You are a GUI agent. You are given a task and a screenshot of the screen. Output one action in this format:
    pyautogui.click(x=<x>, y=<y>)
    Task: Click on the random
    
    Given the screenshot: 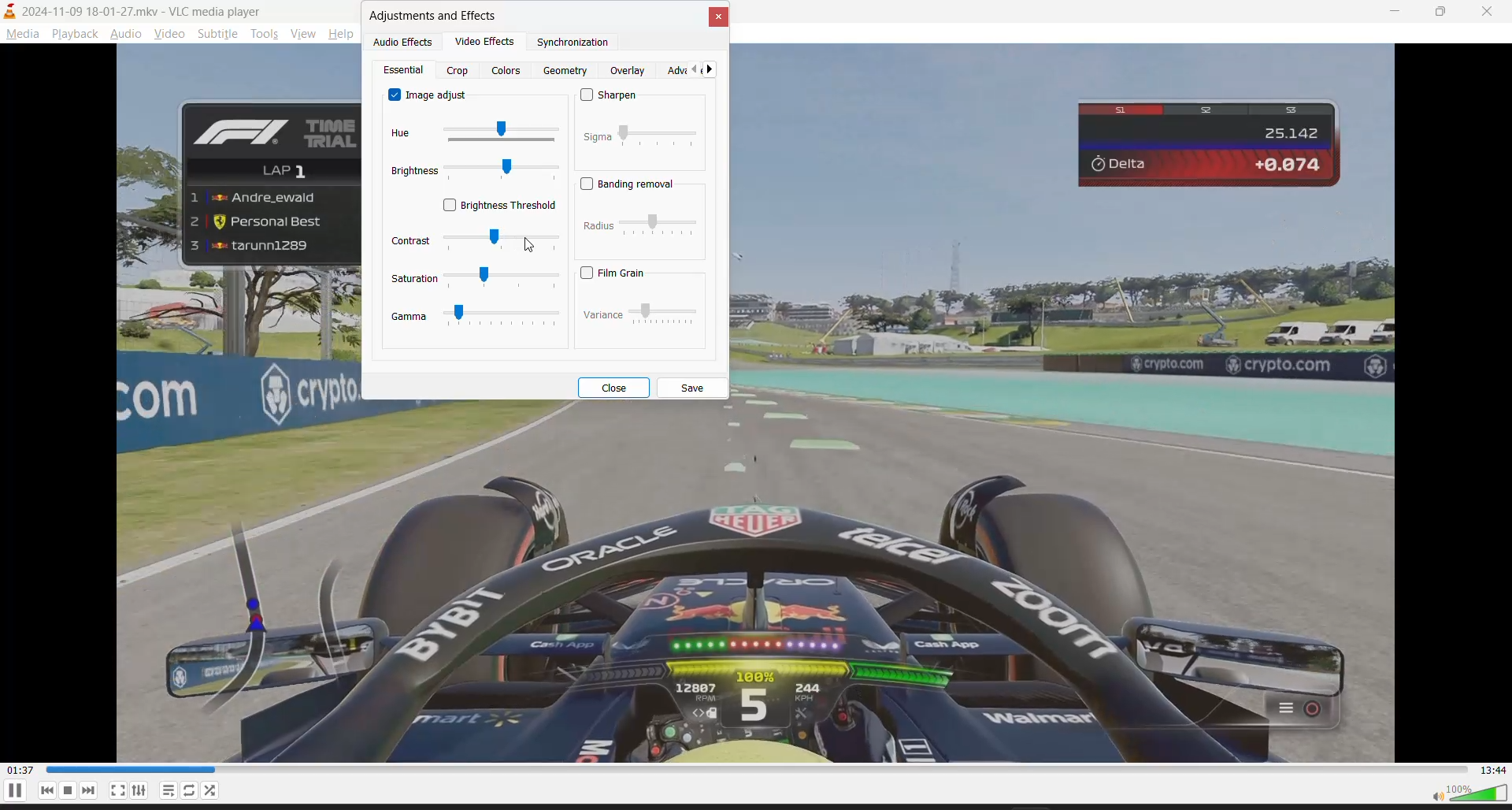 What is the action you would take?
    pyautogui.click(x=213, y=791)
    